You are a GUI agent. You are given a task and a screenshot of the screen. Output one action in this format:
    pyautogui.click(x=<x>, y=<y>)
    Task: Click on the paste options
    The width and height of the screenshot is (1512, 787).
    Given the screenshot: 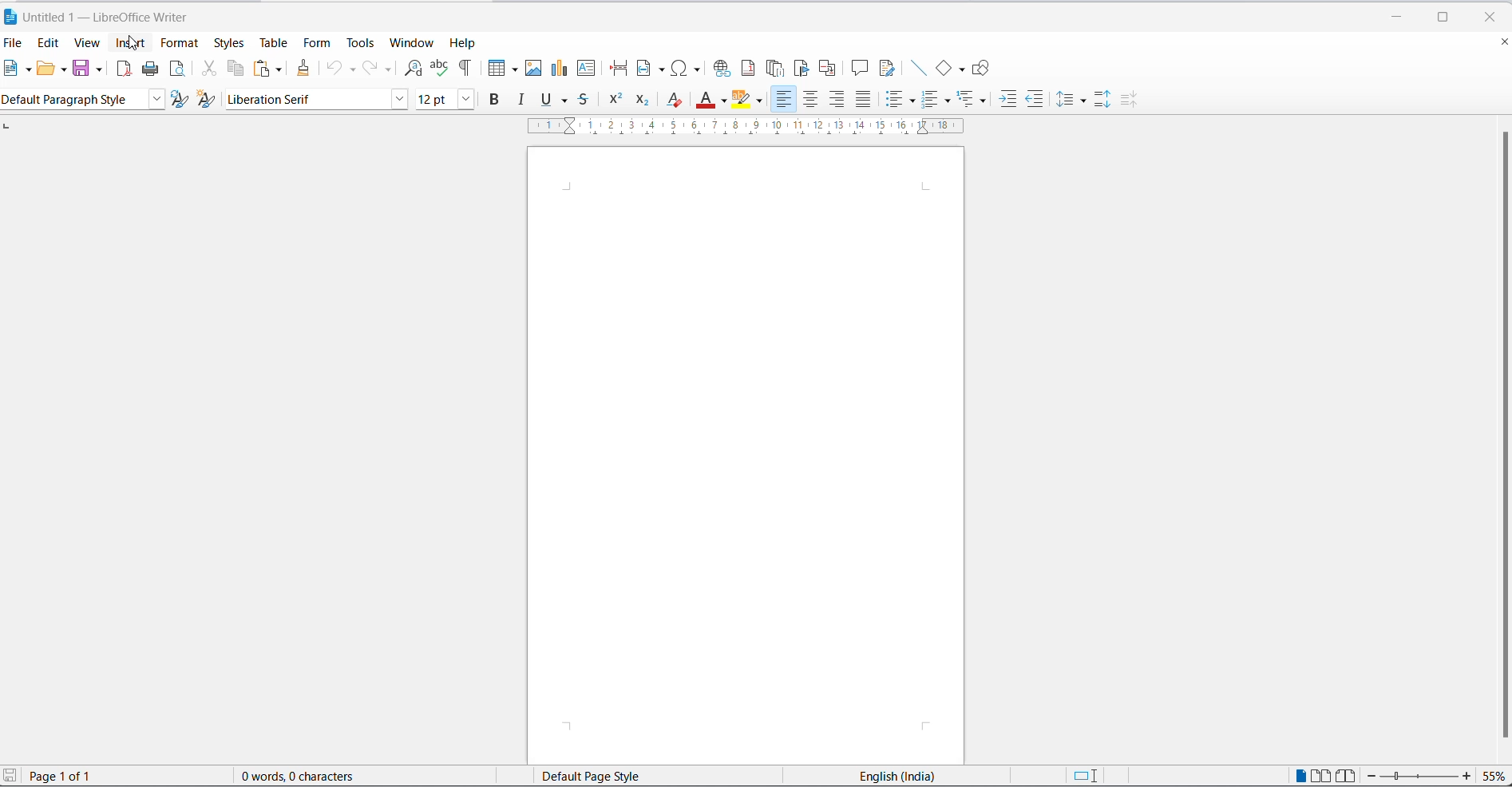 What is the action you would take?
    pyautogui.click(x=261, y=68)
    